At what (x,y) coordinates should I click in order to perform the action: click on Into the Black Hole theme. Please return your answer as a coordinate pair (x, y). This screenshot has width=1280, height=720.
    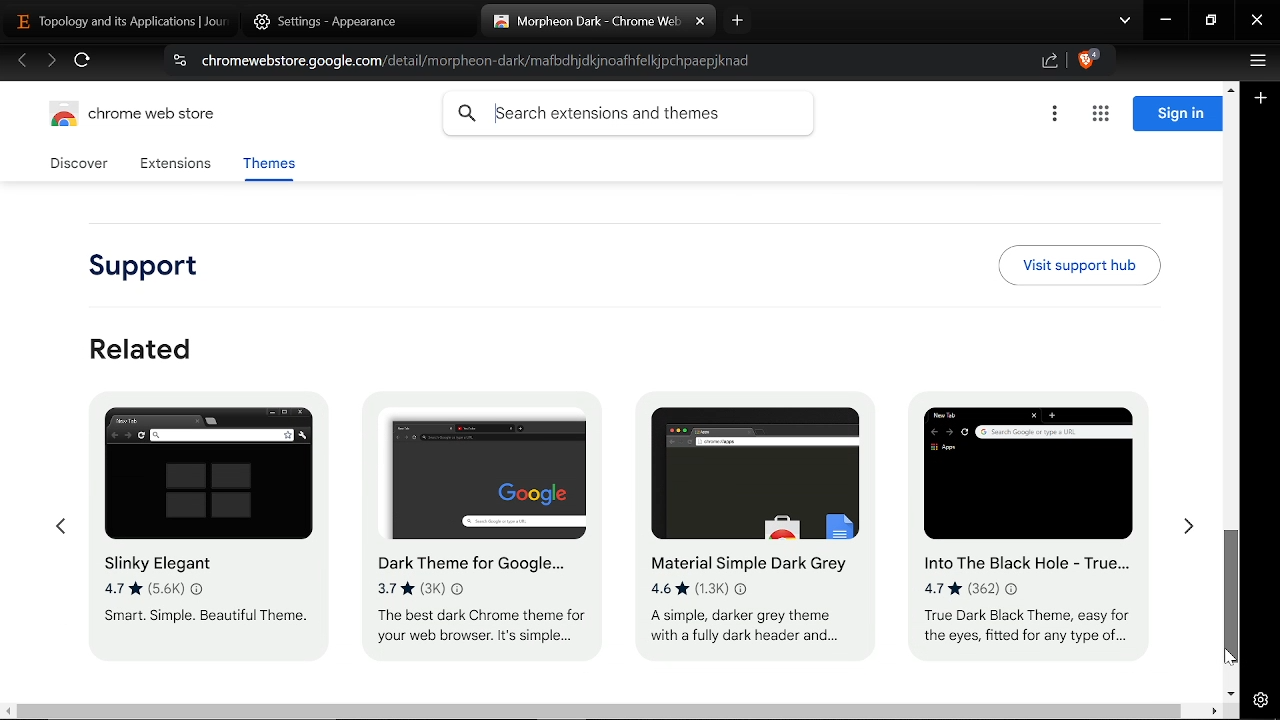
    Looking at the image, I should click on (1032, 526).